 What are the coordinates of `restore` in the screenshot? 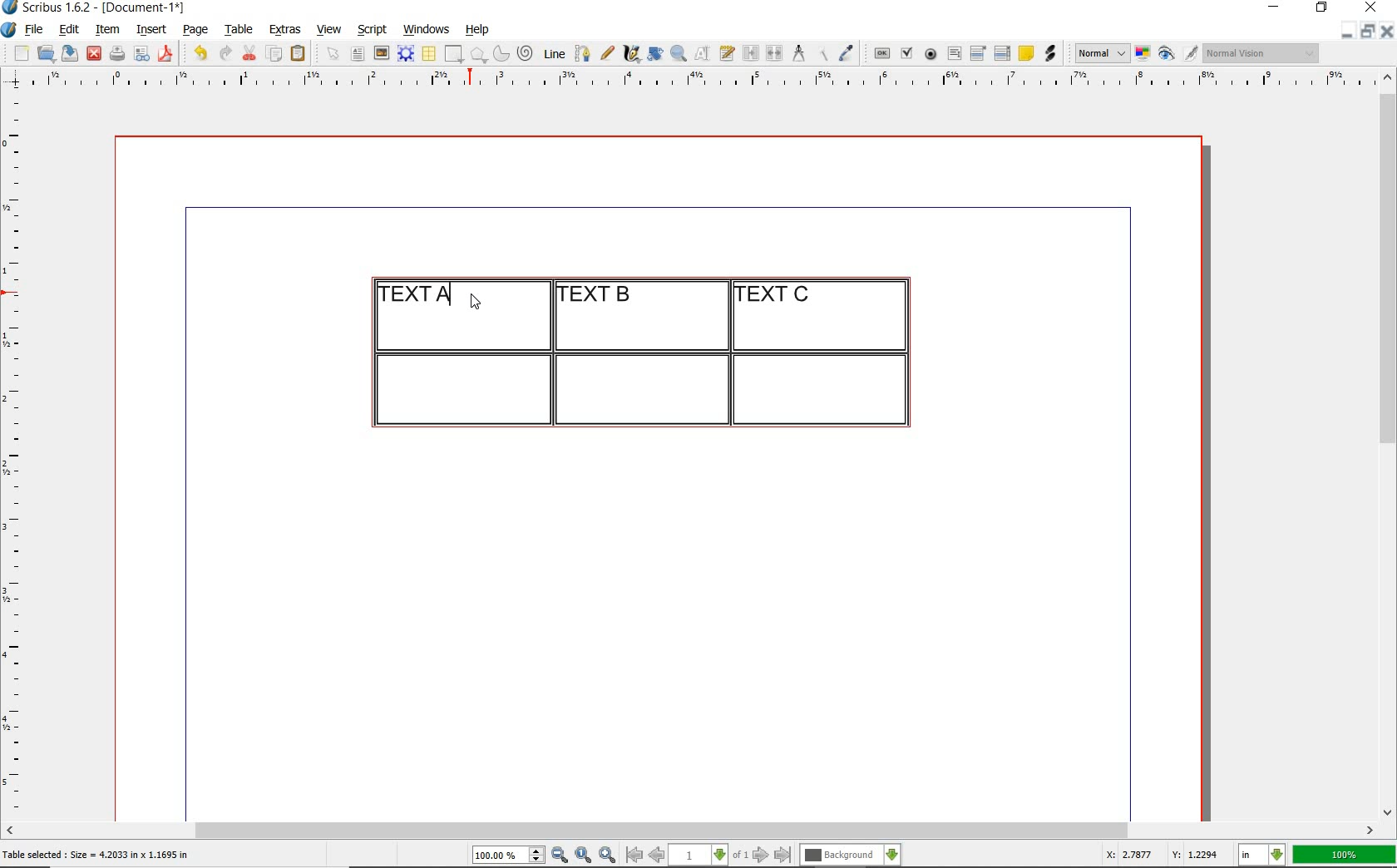 It's located at (1322, 8).